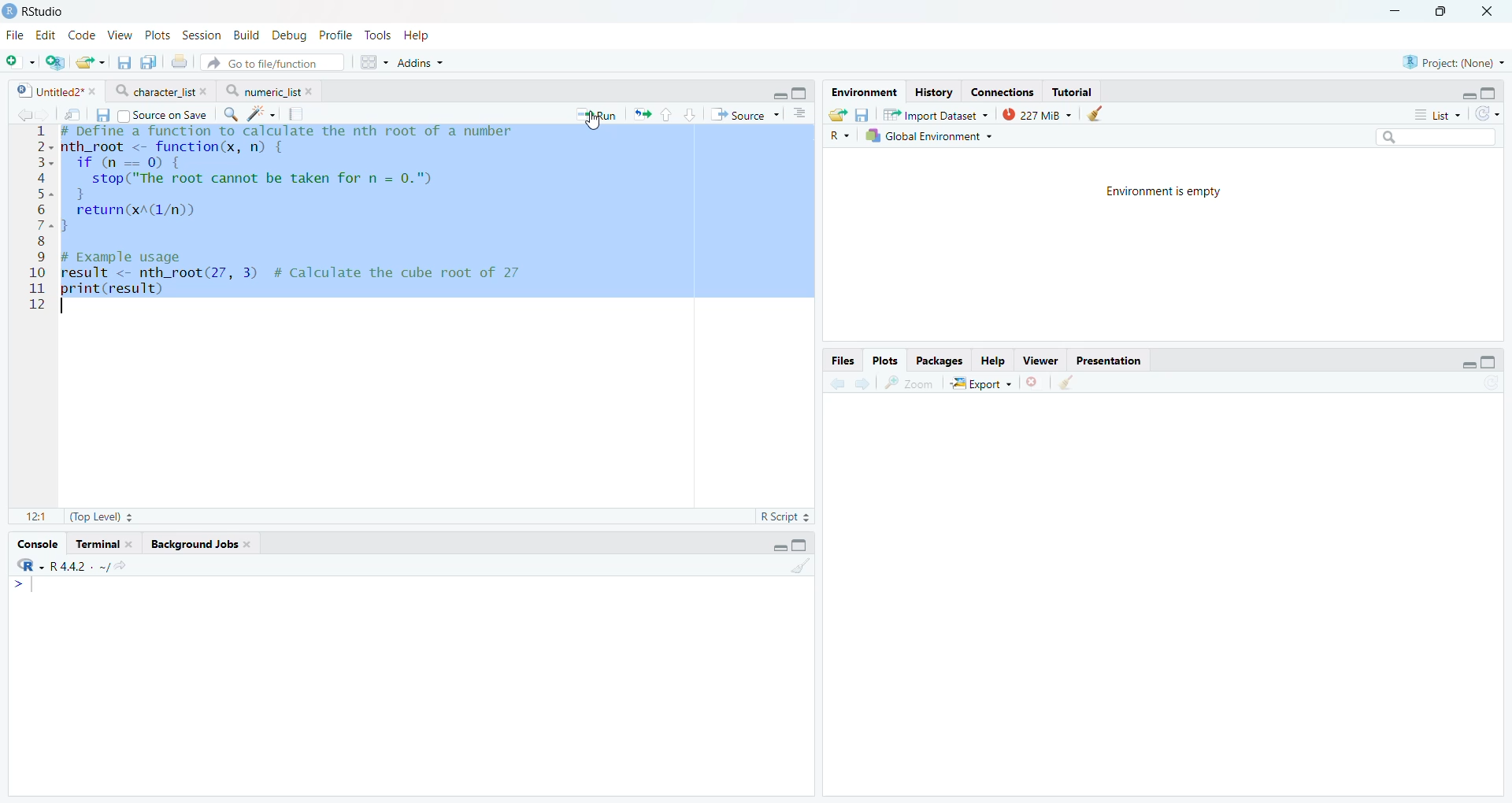 The height and width of the screenshot is (803, 1512). What do you see at coordinates (272, 62) in the screenshot?
I see `Go to file/function` at bounding box center [272, 62].